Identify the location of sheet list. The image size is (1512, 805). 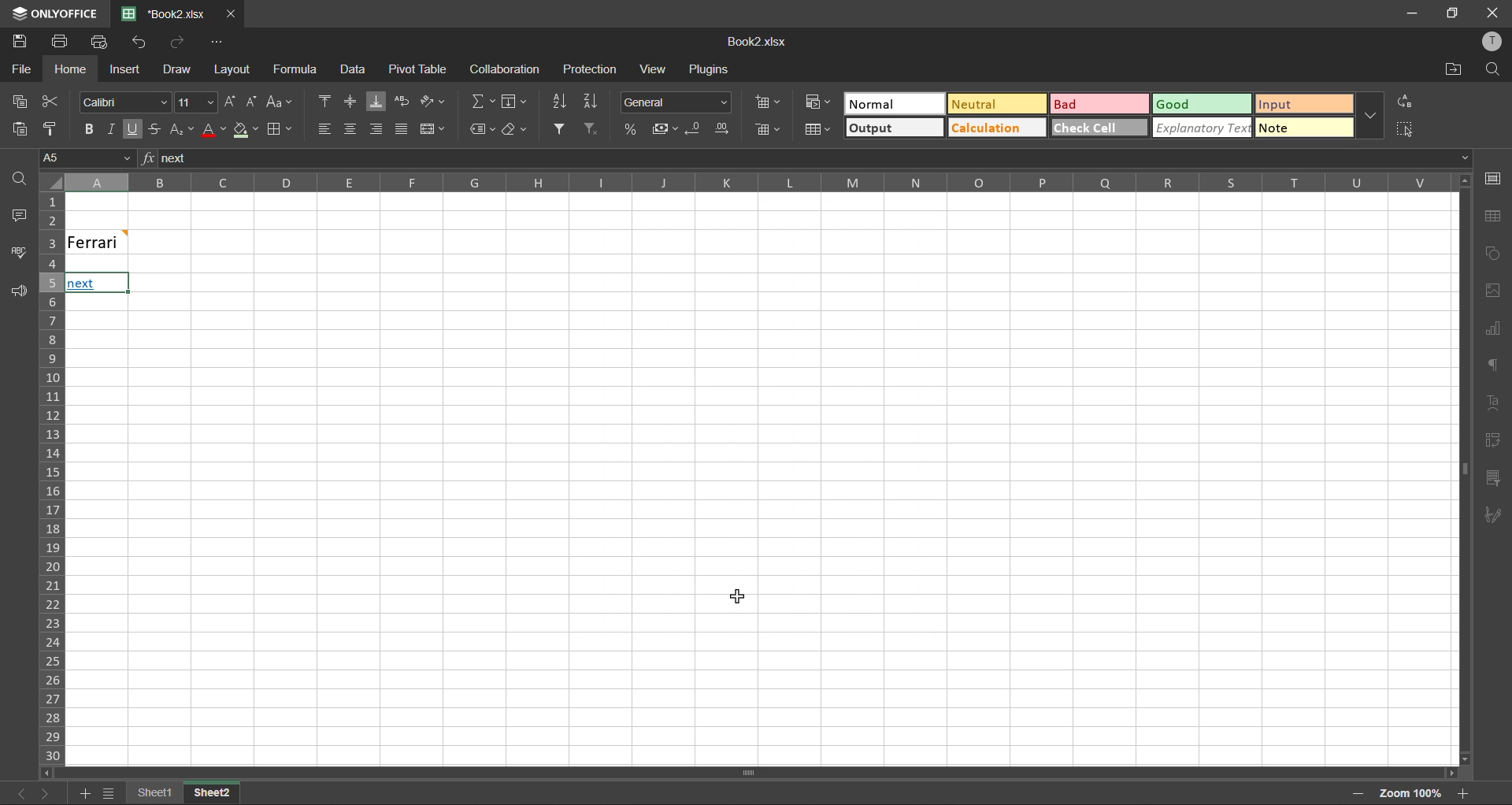
(106, 793).